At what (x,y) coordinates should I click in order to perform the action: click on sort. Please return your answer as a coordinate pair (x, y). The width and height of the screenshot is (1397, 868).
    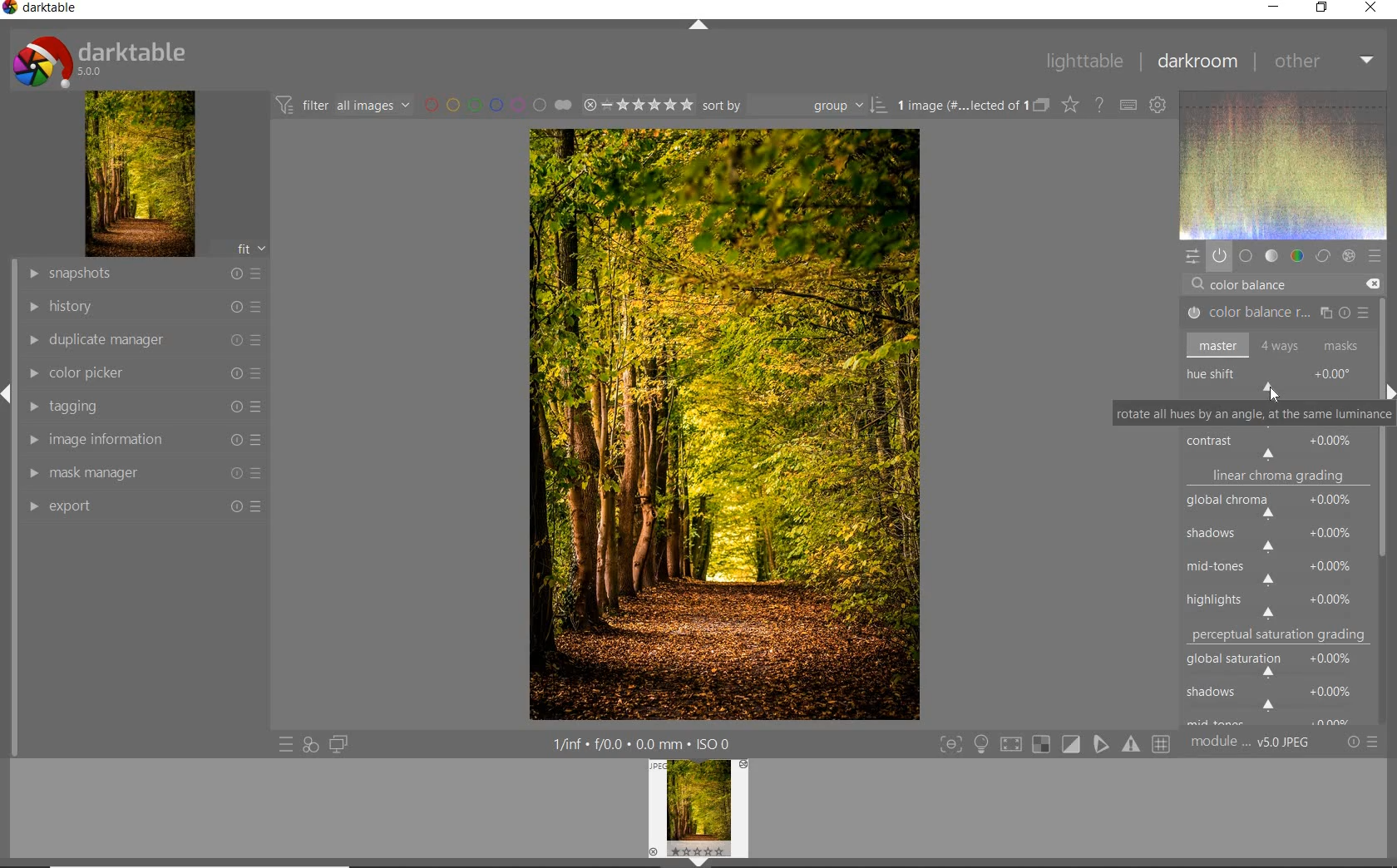
    Looking at the image, I should click on (794, 106).